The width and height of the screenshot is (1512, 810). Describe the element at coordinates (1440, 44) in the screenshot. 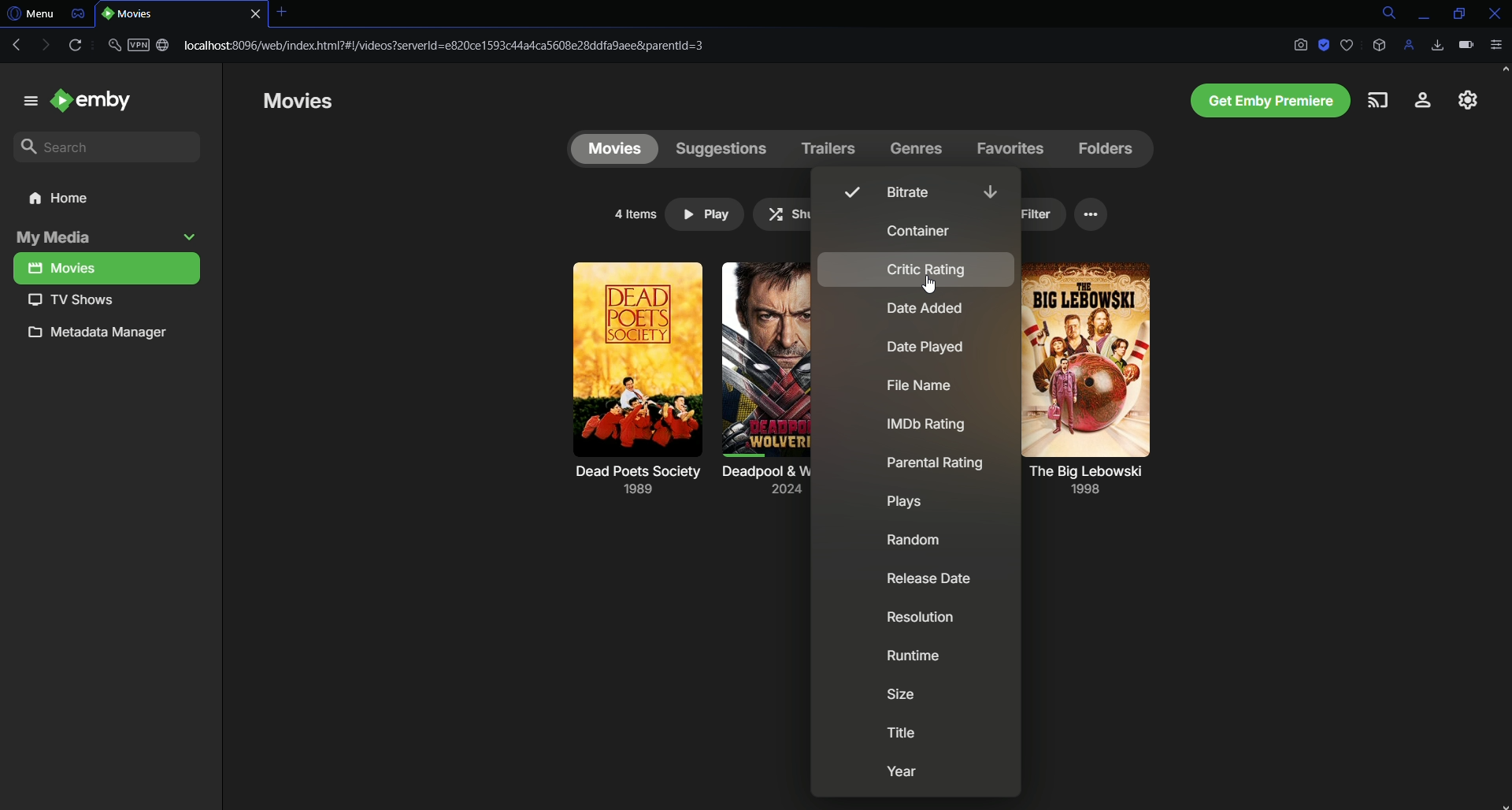

I see `Downloads` at that location.